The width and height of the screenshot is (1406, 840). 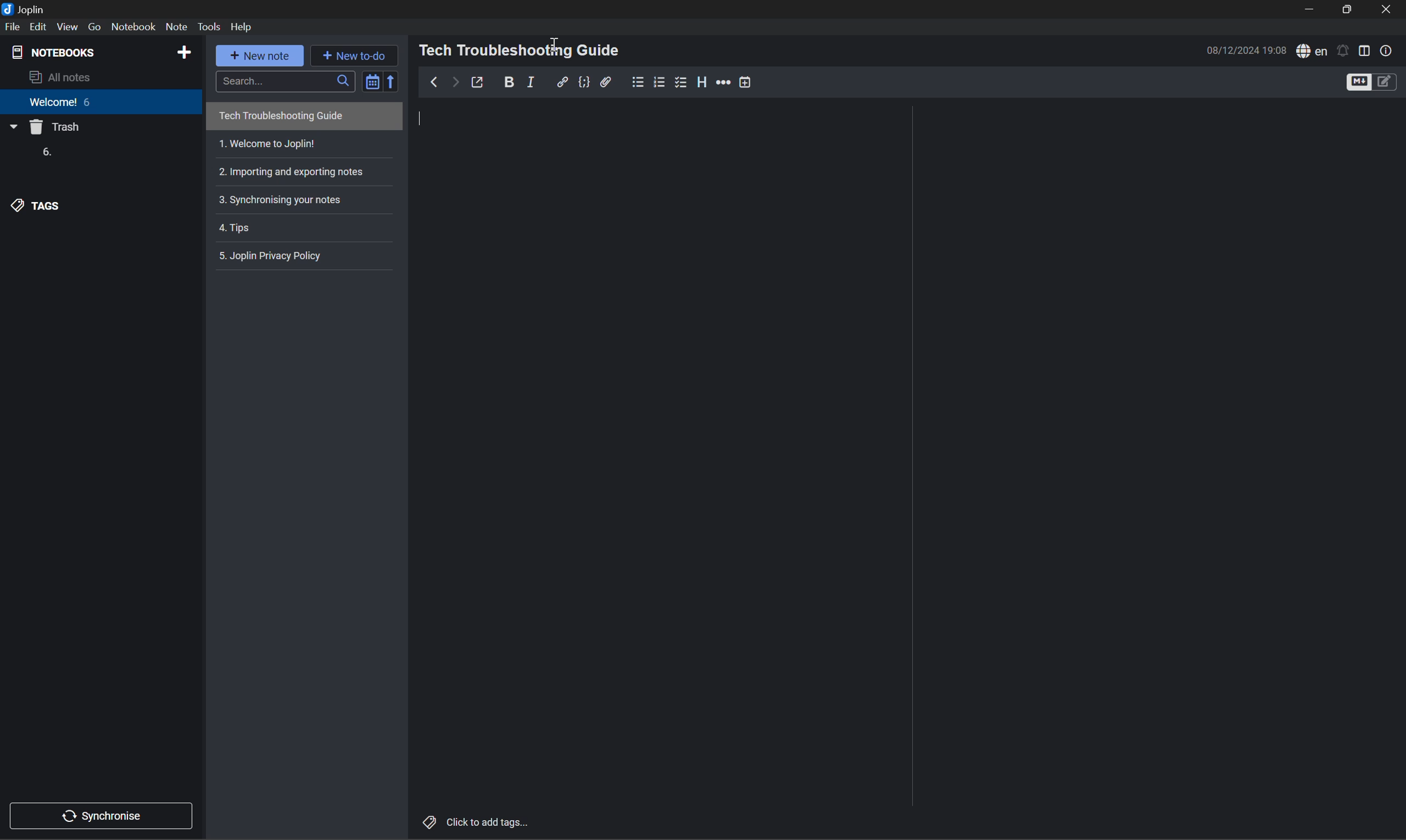 What do you see at coordinates (12, 128) in the screenshot?
I see `Drop Down` at bounding box center [12, 128].